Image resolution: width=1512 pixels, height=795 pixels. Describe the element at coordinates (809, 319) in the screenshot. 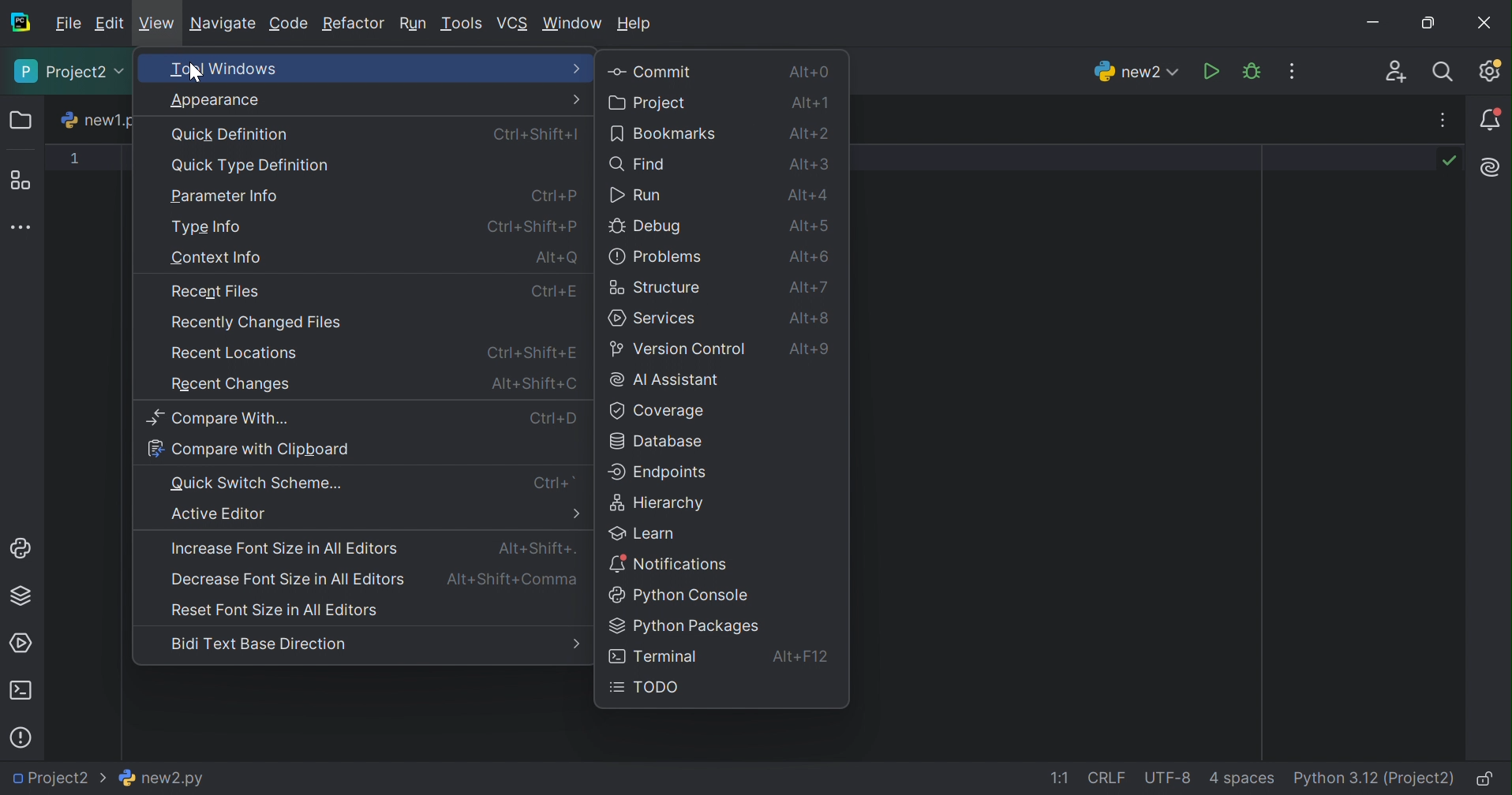

I see `Alt+8` at that location.